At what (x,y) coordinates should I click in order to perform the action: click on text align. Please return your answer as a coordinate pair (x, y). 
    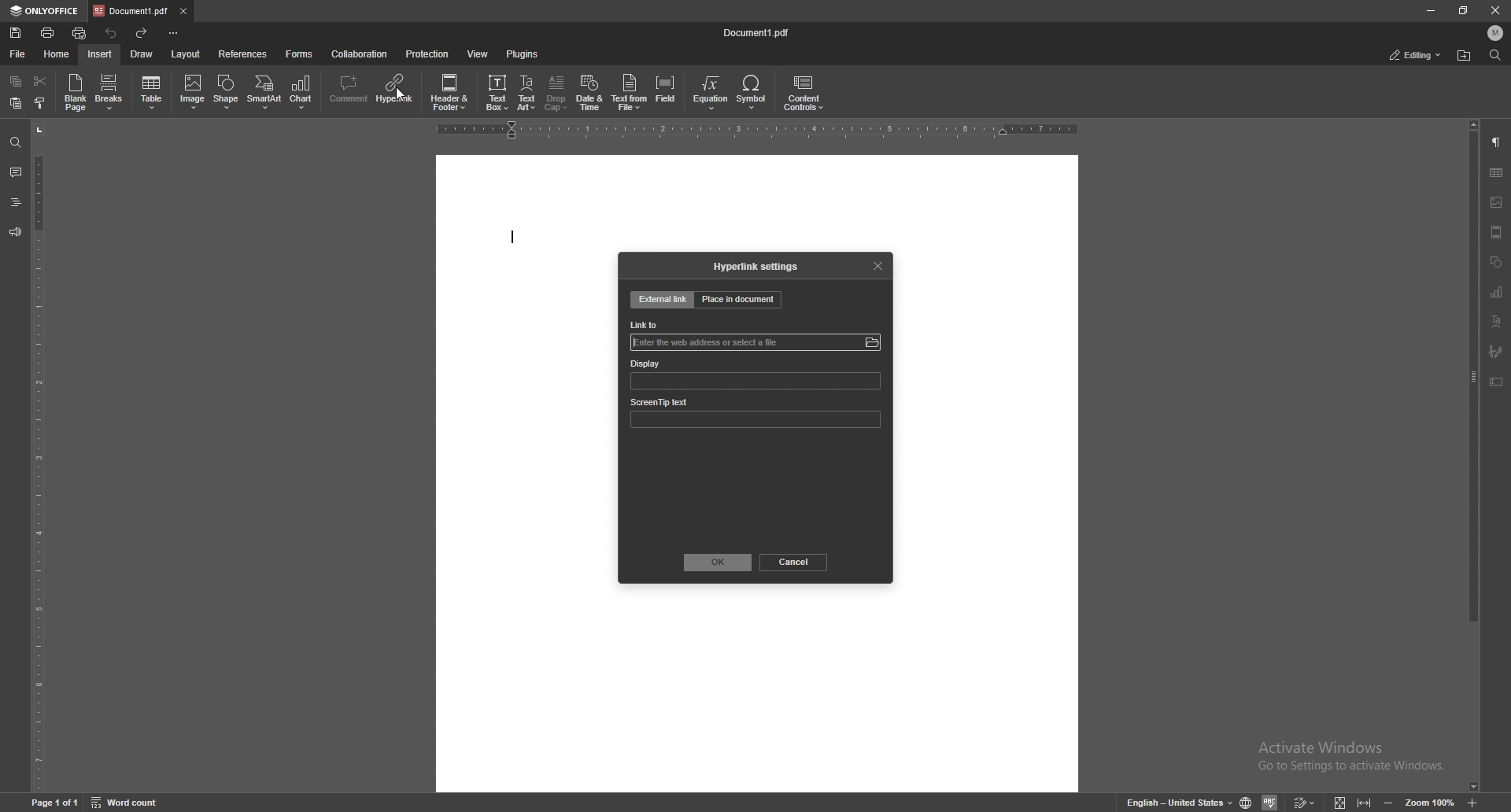
    Looking at the image, I should click on (1498, 321).